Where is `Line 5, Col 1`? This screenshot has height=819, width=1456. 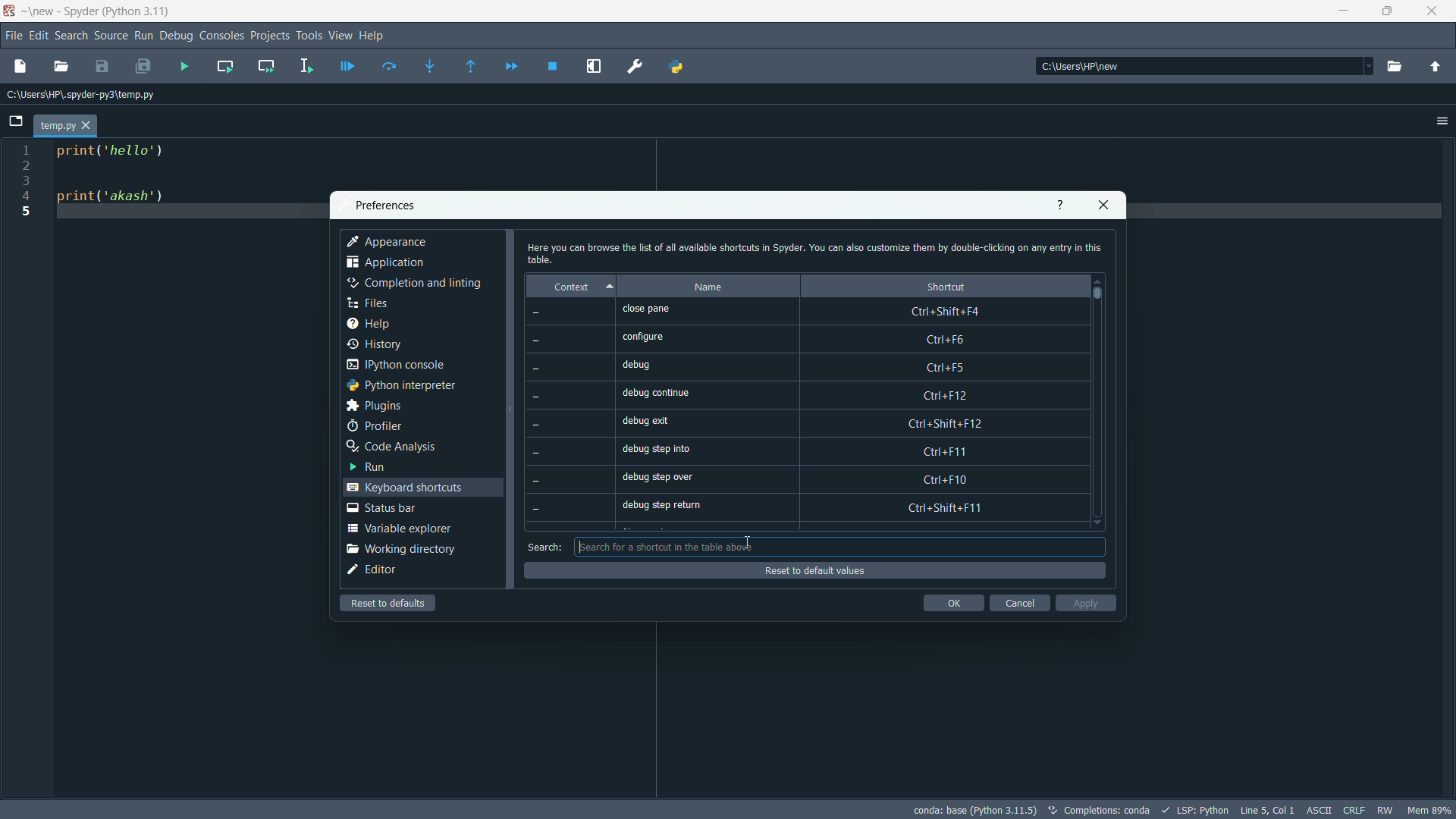 Line 5, Col 1 is located at coordinates (1266, 808).